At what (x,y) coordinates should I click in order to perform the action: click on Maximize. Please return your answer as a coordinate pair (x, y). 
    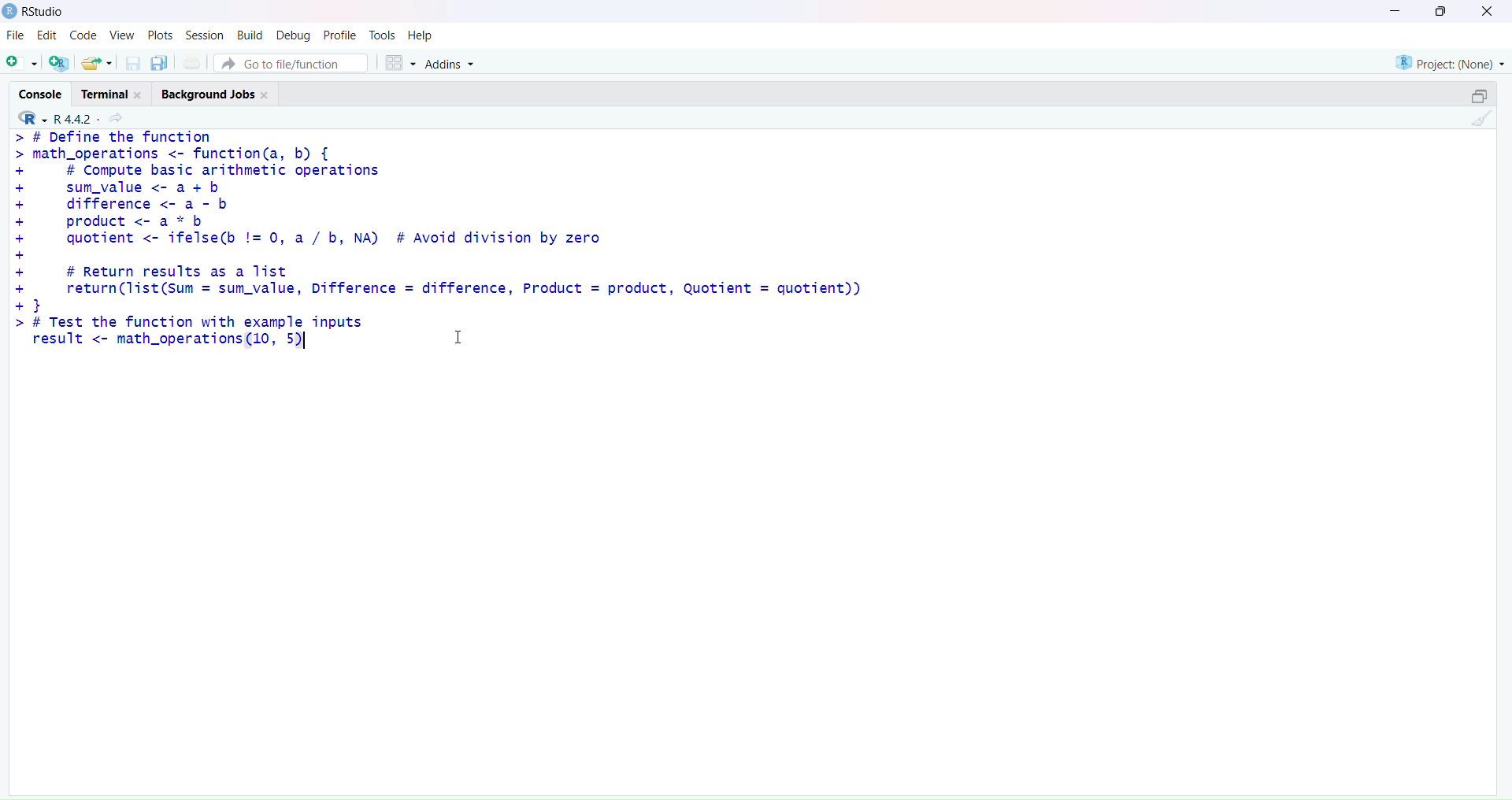
    Looking at the image, I should click on (1442, 12).